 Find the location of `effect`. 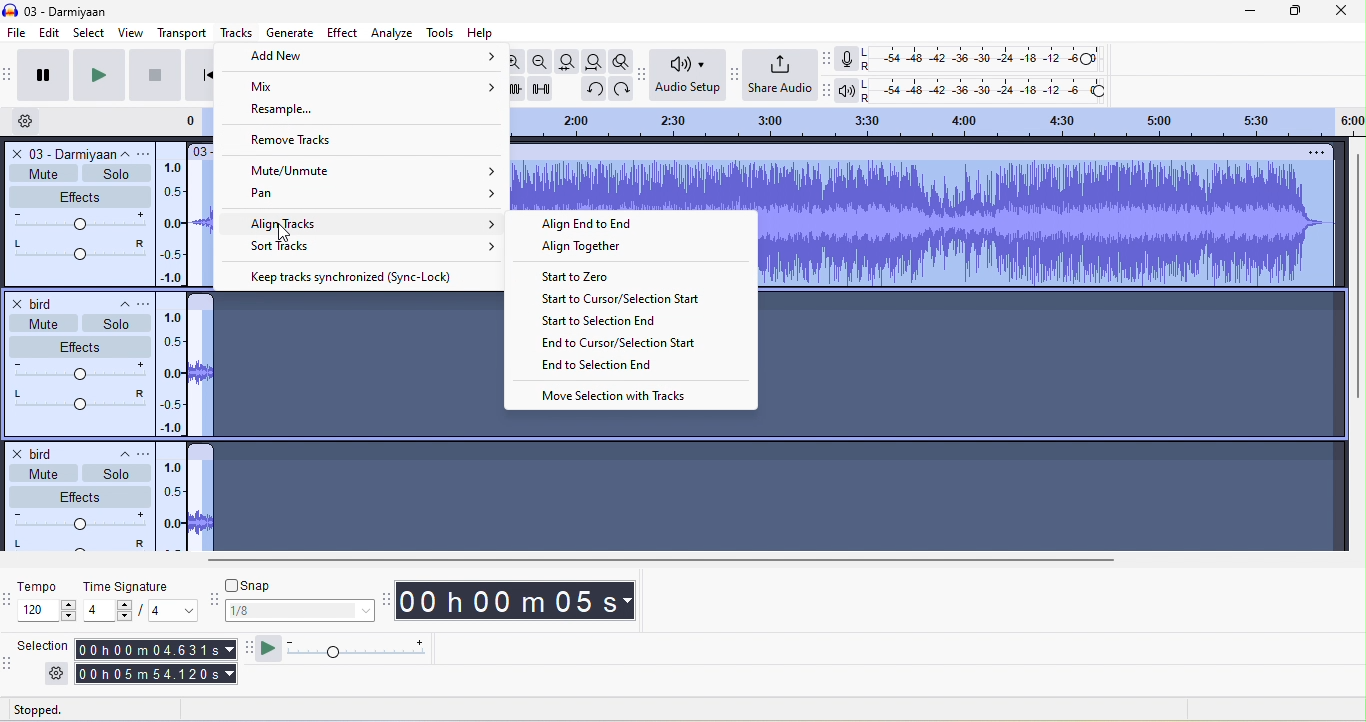

effect is located at coordinates (340, 34).